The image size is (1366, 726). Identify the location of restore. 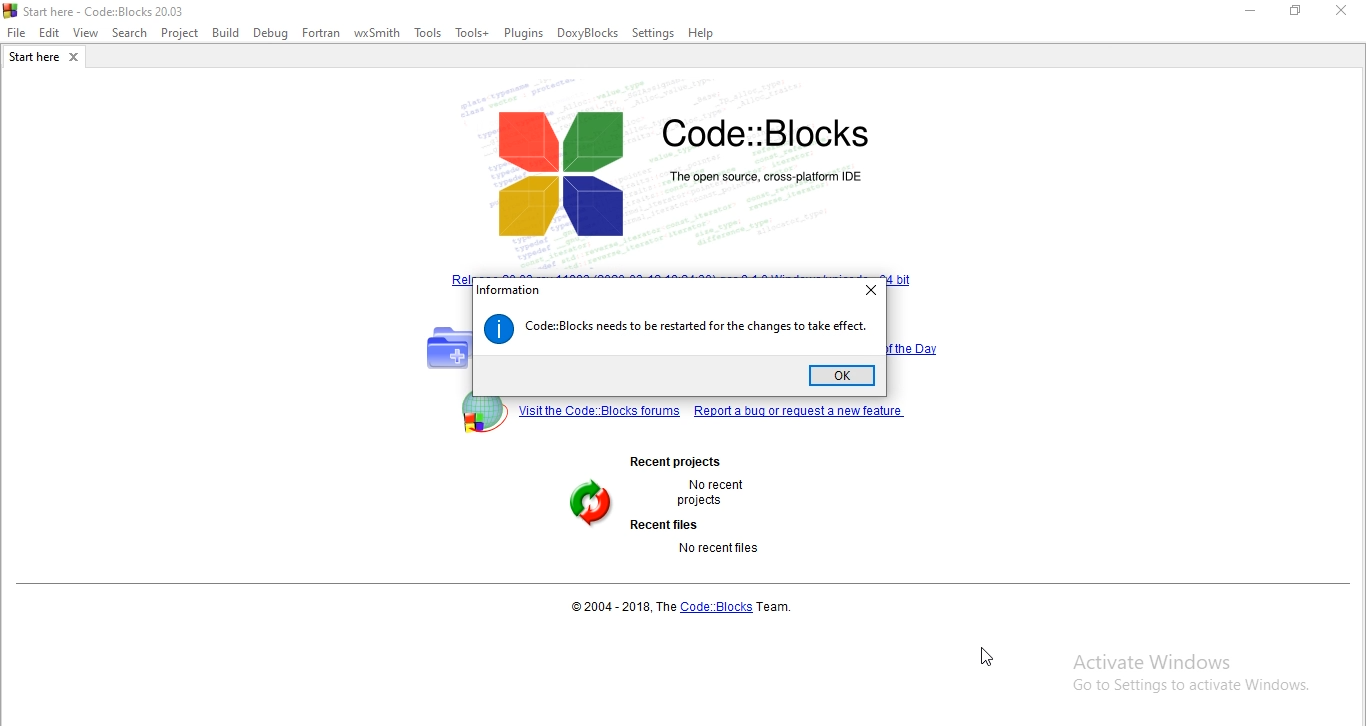
(1301, 13).